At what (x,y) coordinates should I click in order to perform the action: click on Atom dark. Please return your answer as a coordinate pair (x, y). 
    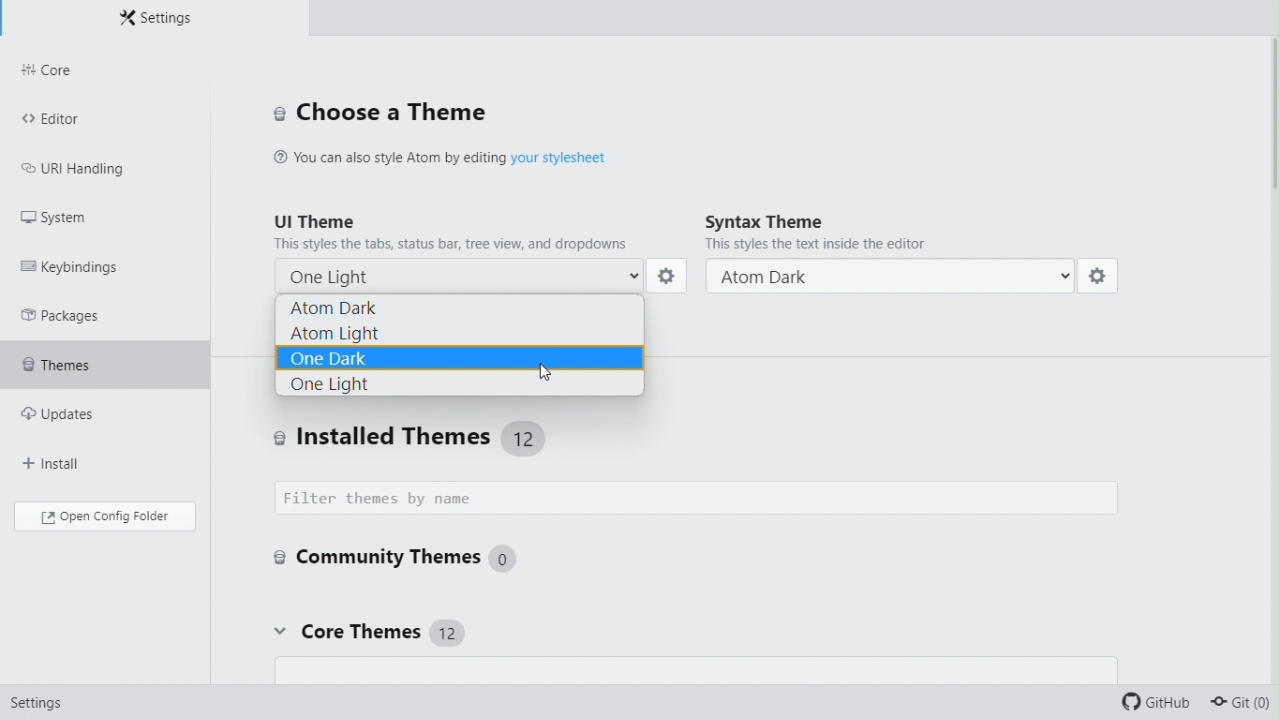
    Looking at the image, I should click on (891, 277).